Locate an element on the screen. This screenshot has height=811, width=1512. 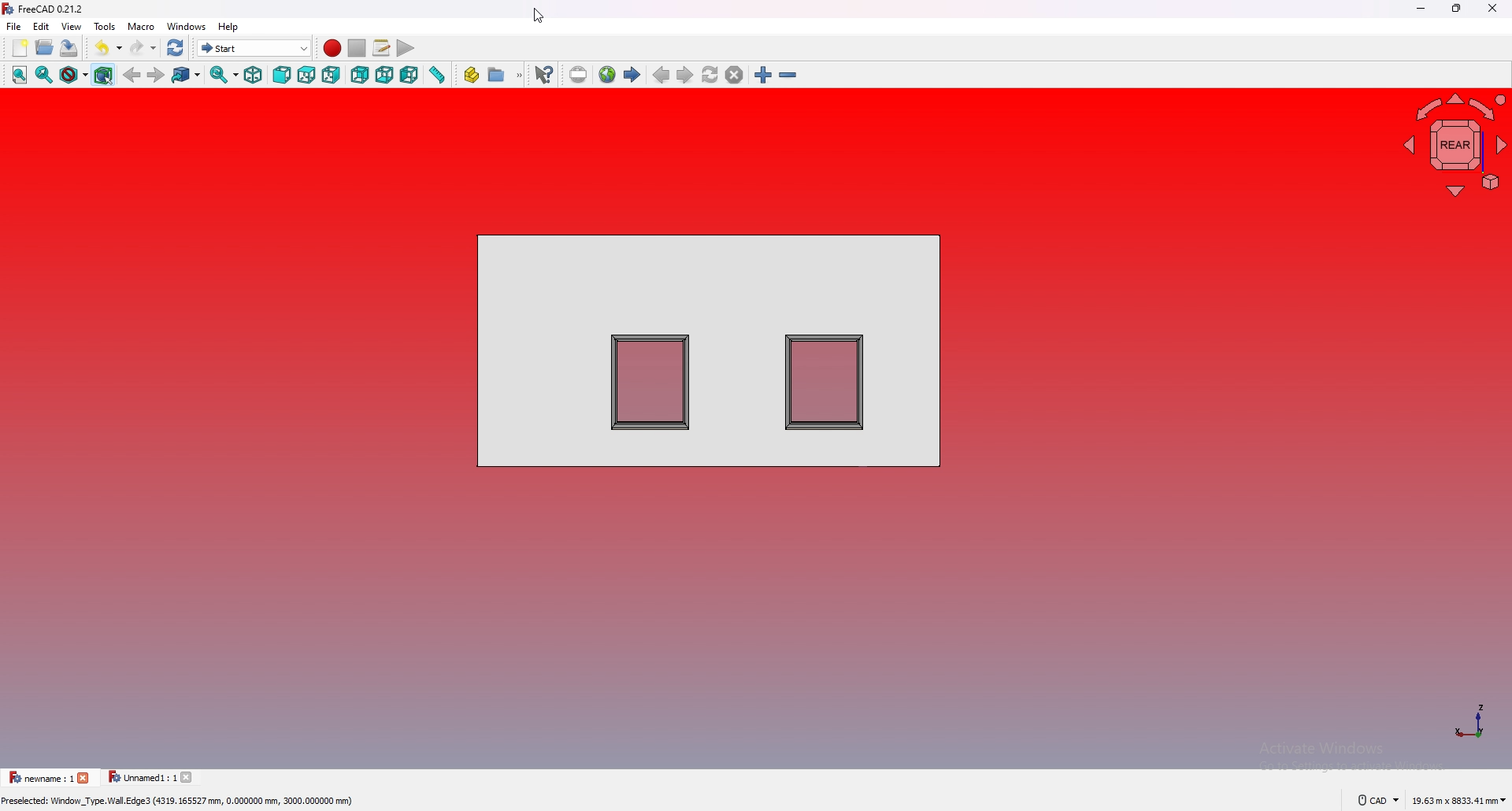
windows is located at coordinates (187, 26).